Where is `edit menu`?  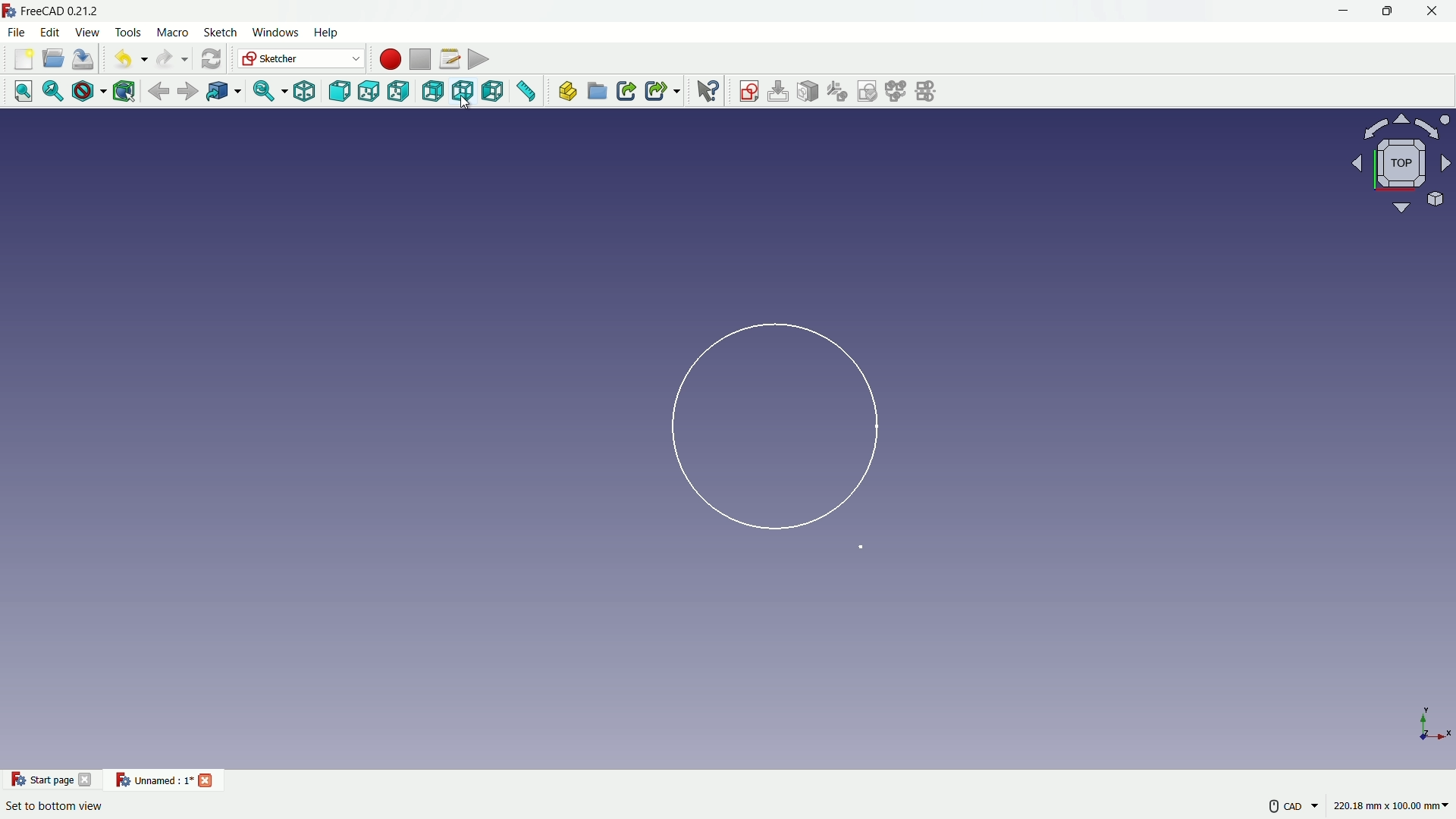 edit menu is located at coordinates (51, 33).